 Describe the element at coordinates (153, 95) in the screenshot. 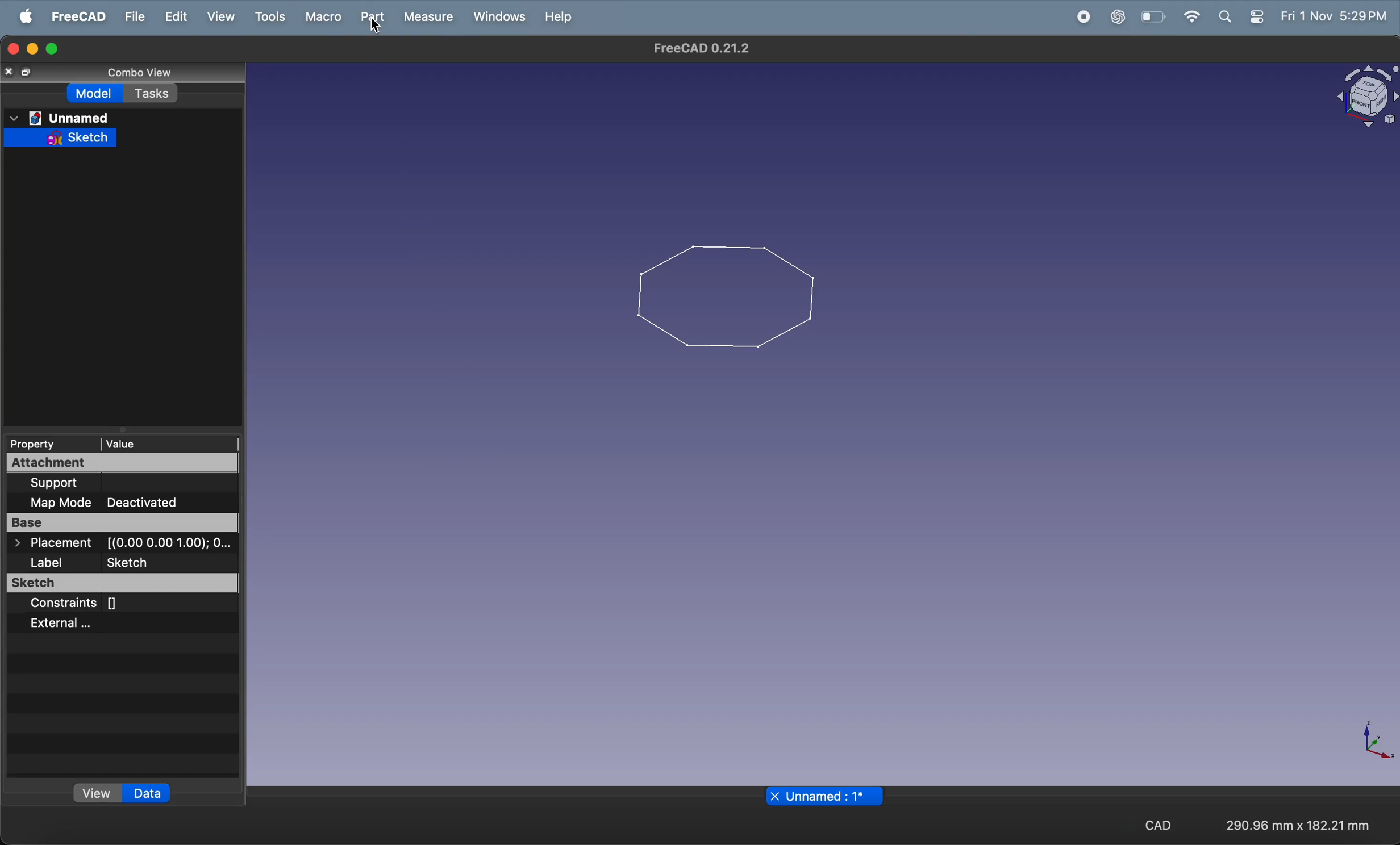

I see `task` at that location.